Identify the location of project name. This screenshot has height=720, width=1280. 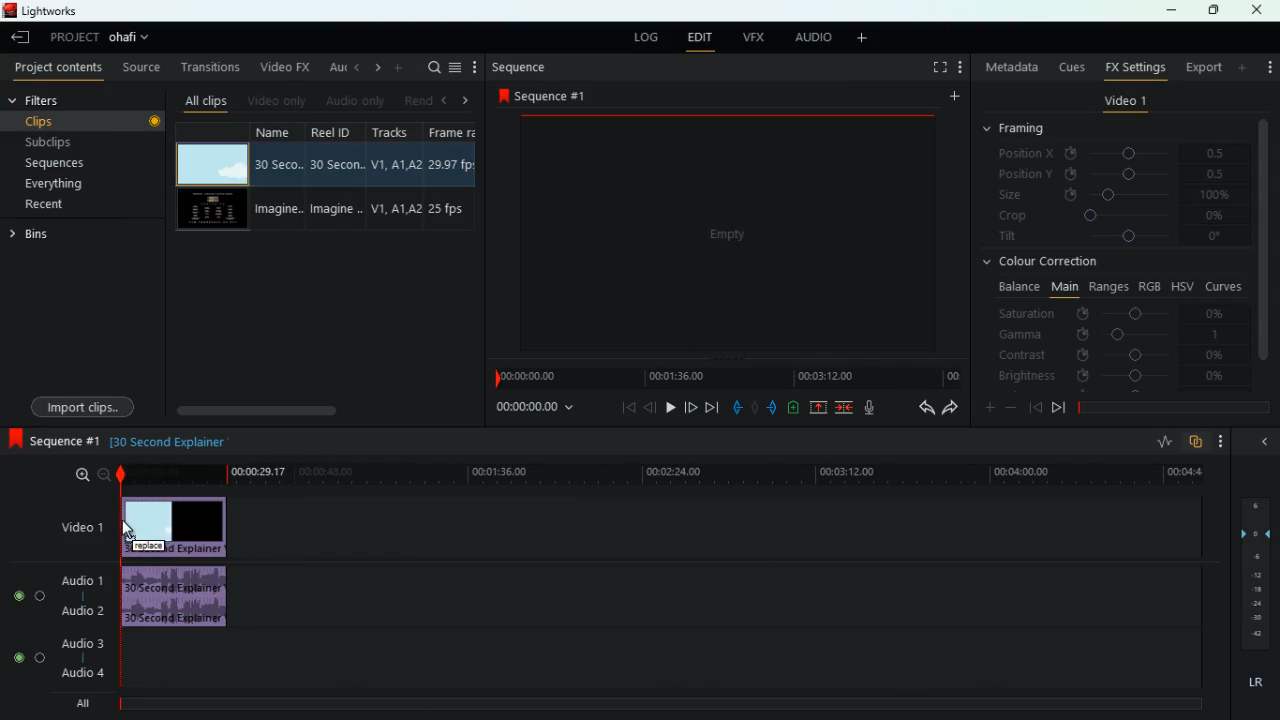
(133, 39).